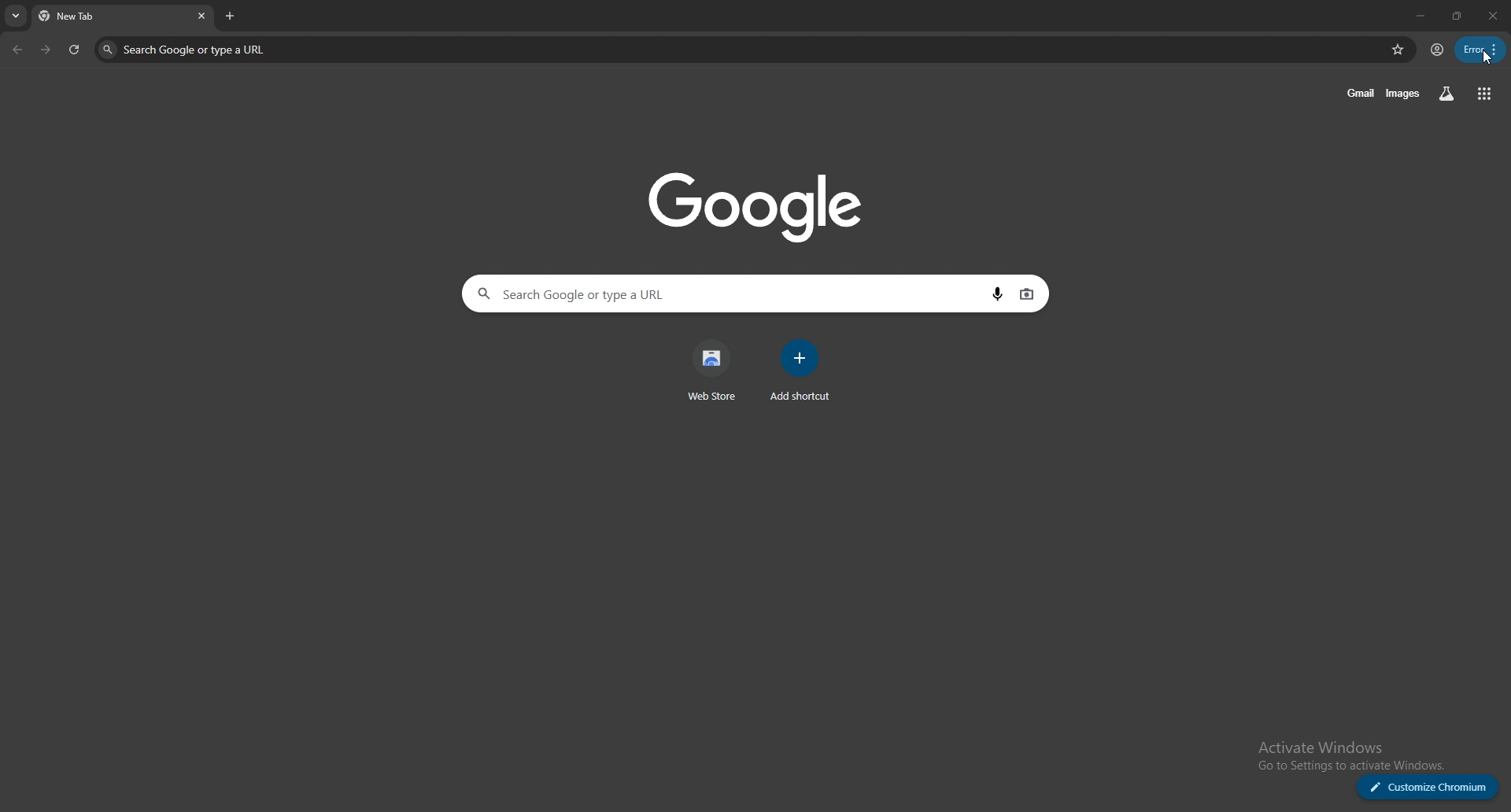 This screenshot has width=1511, height=812. What do you see at coordinates (1454, 16) in the screenshot?
I see `resize` at bounding box center [1454, 16].